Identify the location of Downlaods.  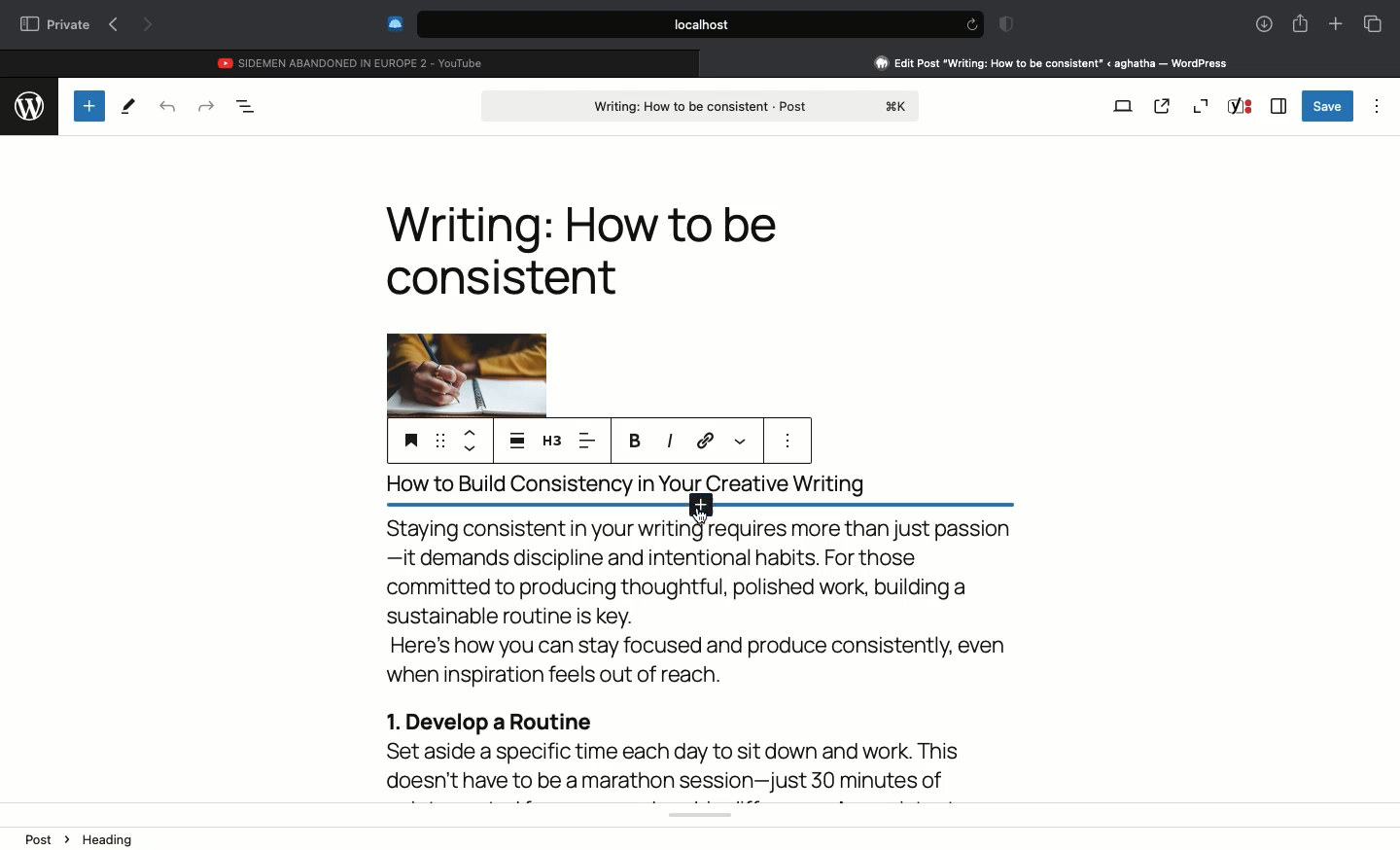
(1261, 25).